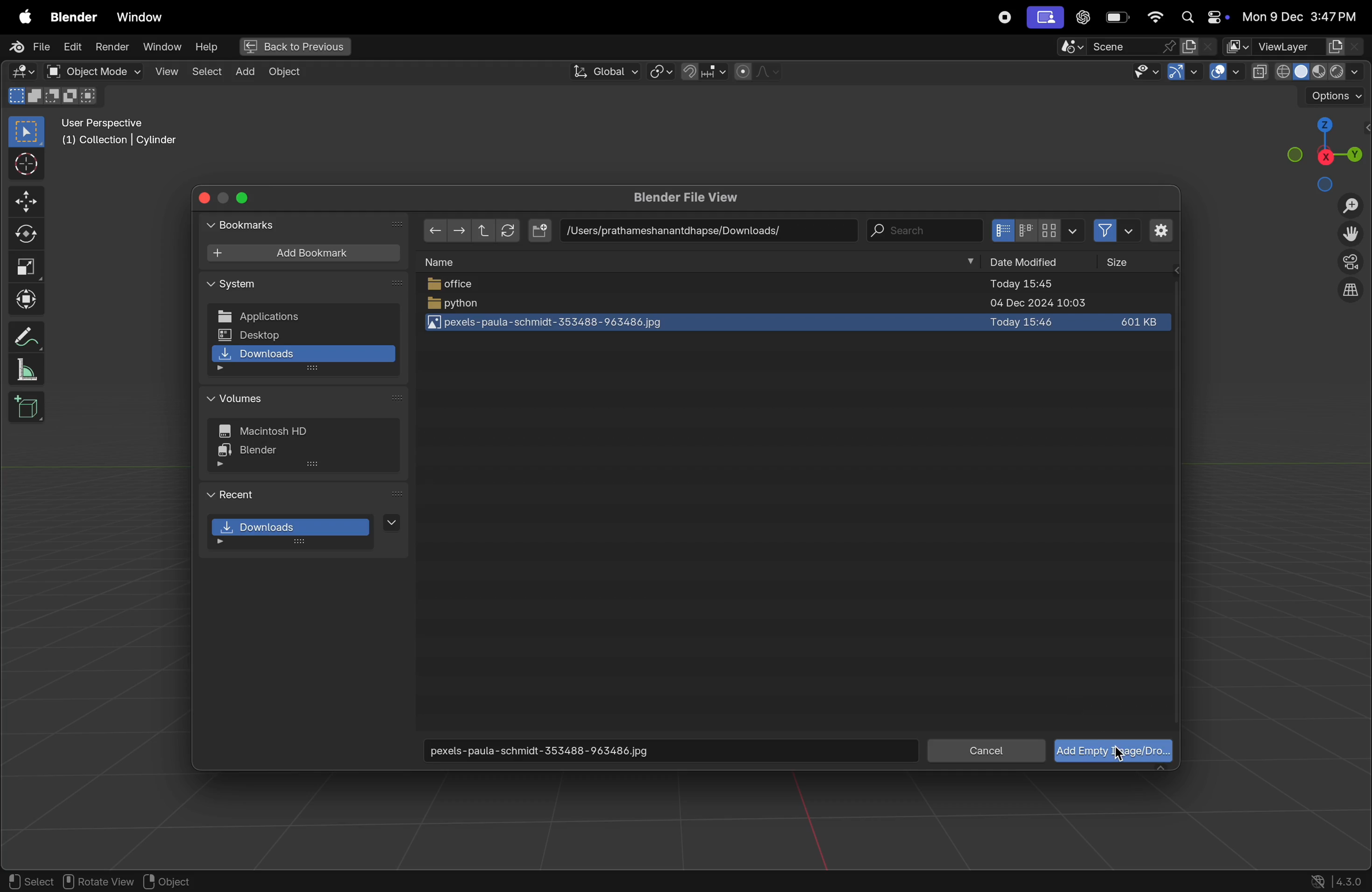 This screenshot has width=1372, height=892. What do you see at coordinates (1185, 74) in the screenshot?
I see `show gimzo` at bounding box center [1185, 74].